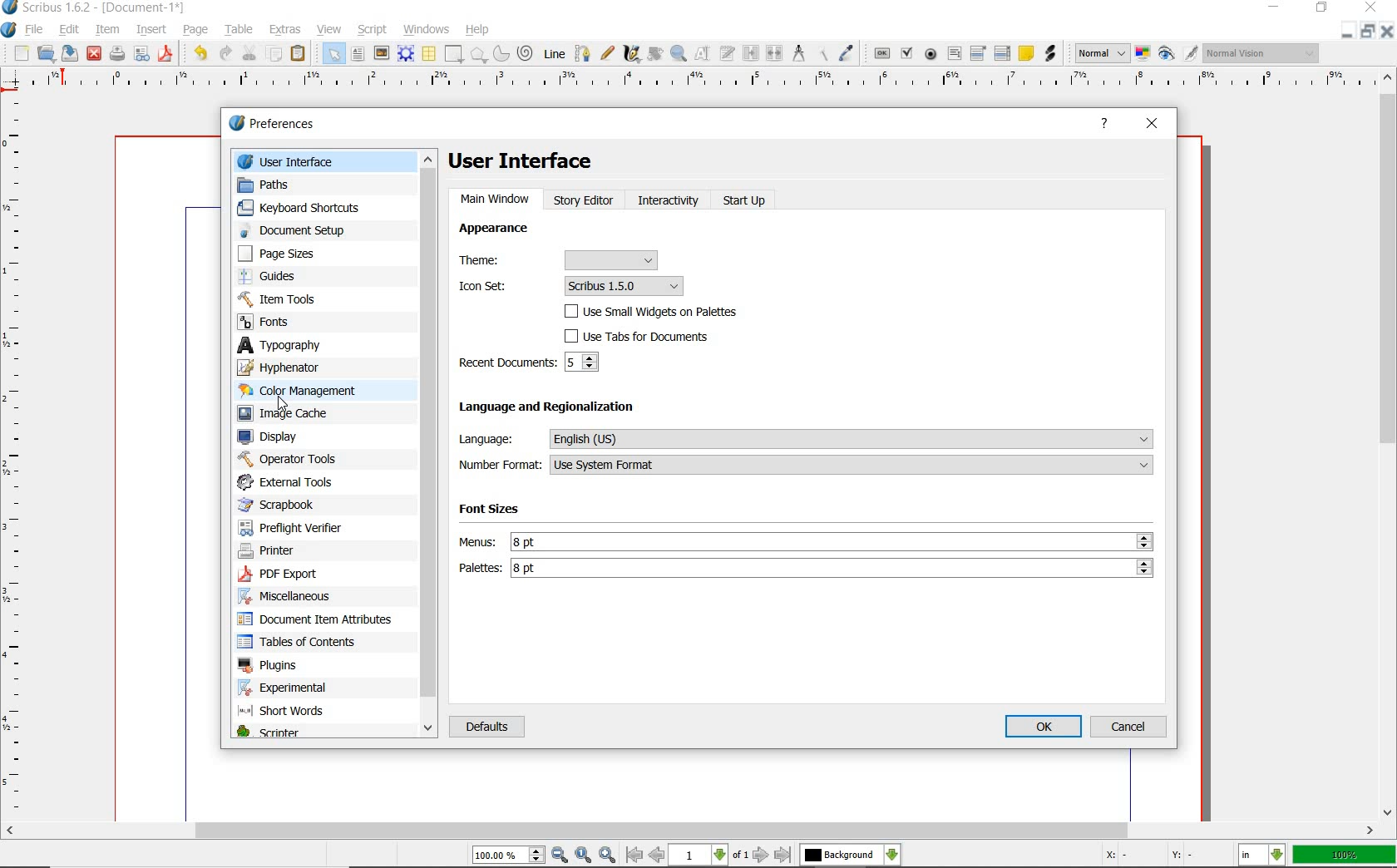 The height and width of the screenshot is (868, 1397). Describe the element at coordinates (71, 53) in the screenshot. I see `save` at that location.